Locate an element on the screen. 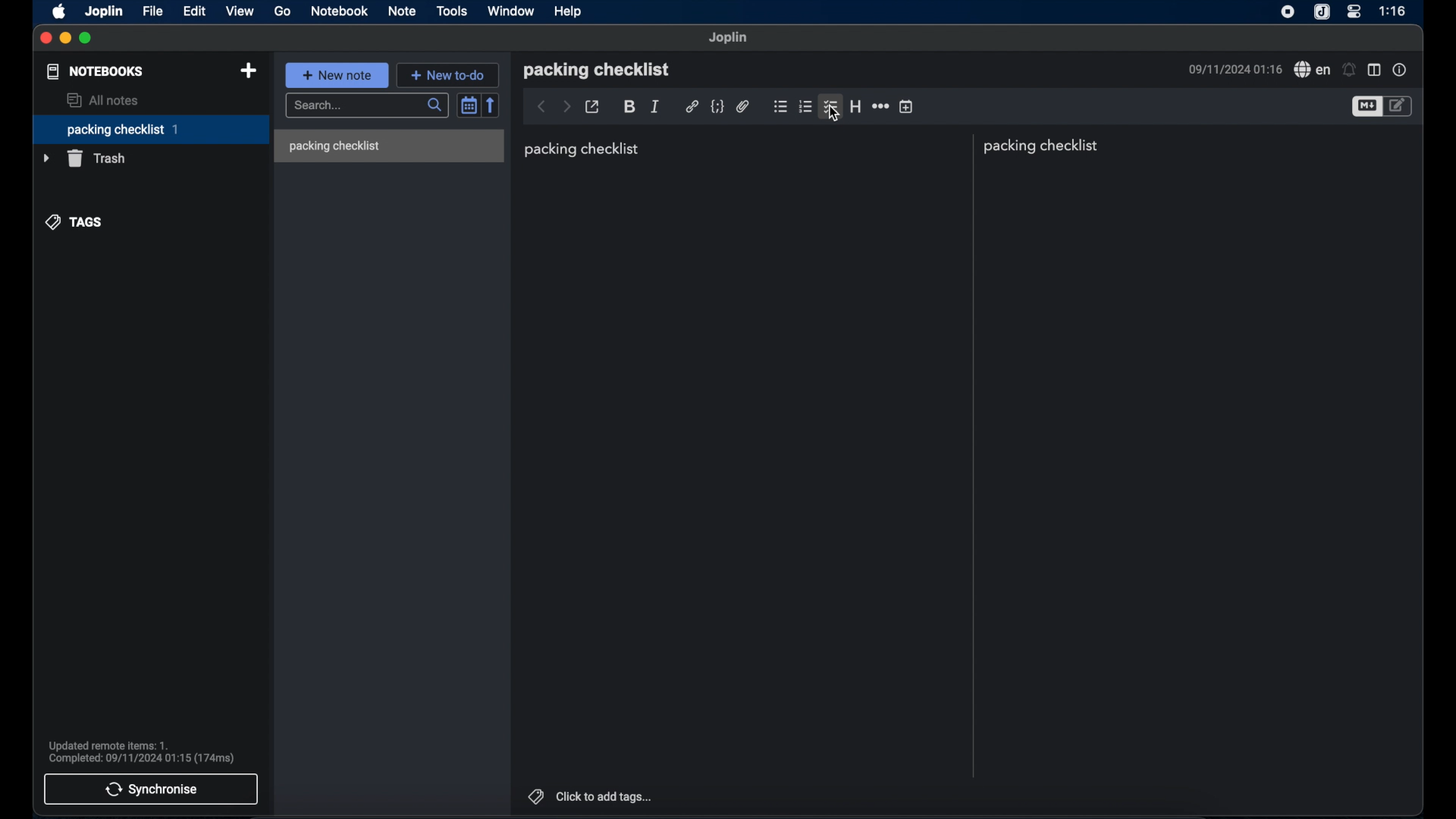 Image resolution: width=1456 pixels, height=819 pixels. maximize is located at coordinates (86, 39).